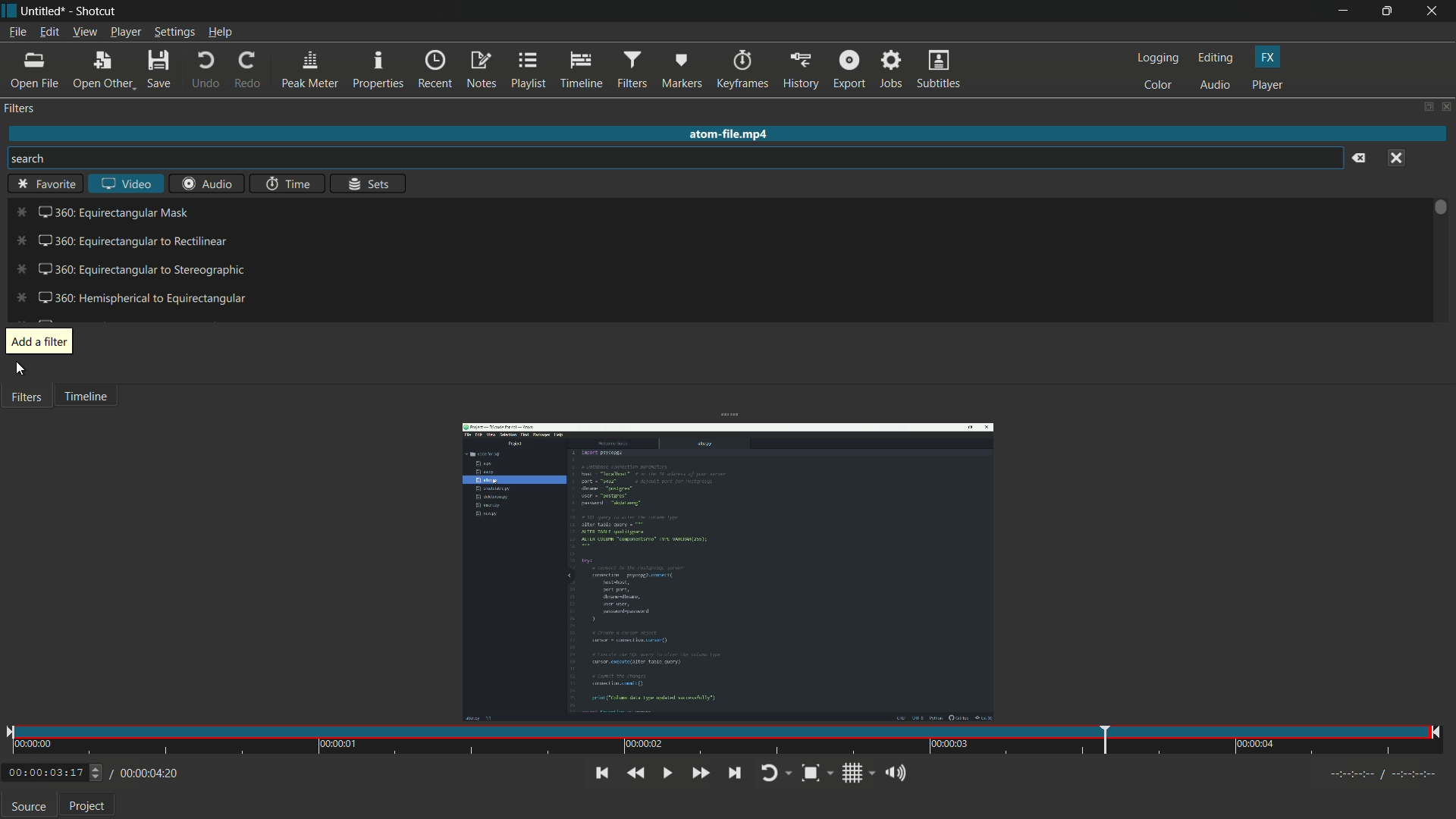 The height and width of the screenshot is (819, 1456). Describe the element at coordinates (1159, 58) in the screenshot. I see `logging` at that location.